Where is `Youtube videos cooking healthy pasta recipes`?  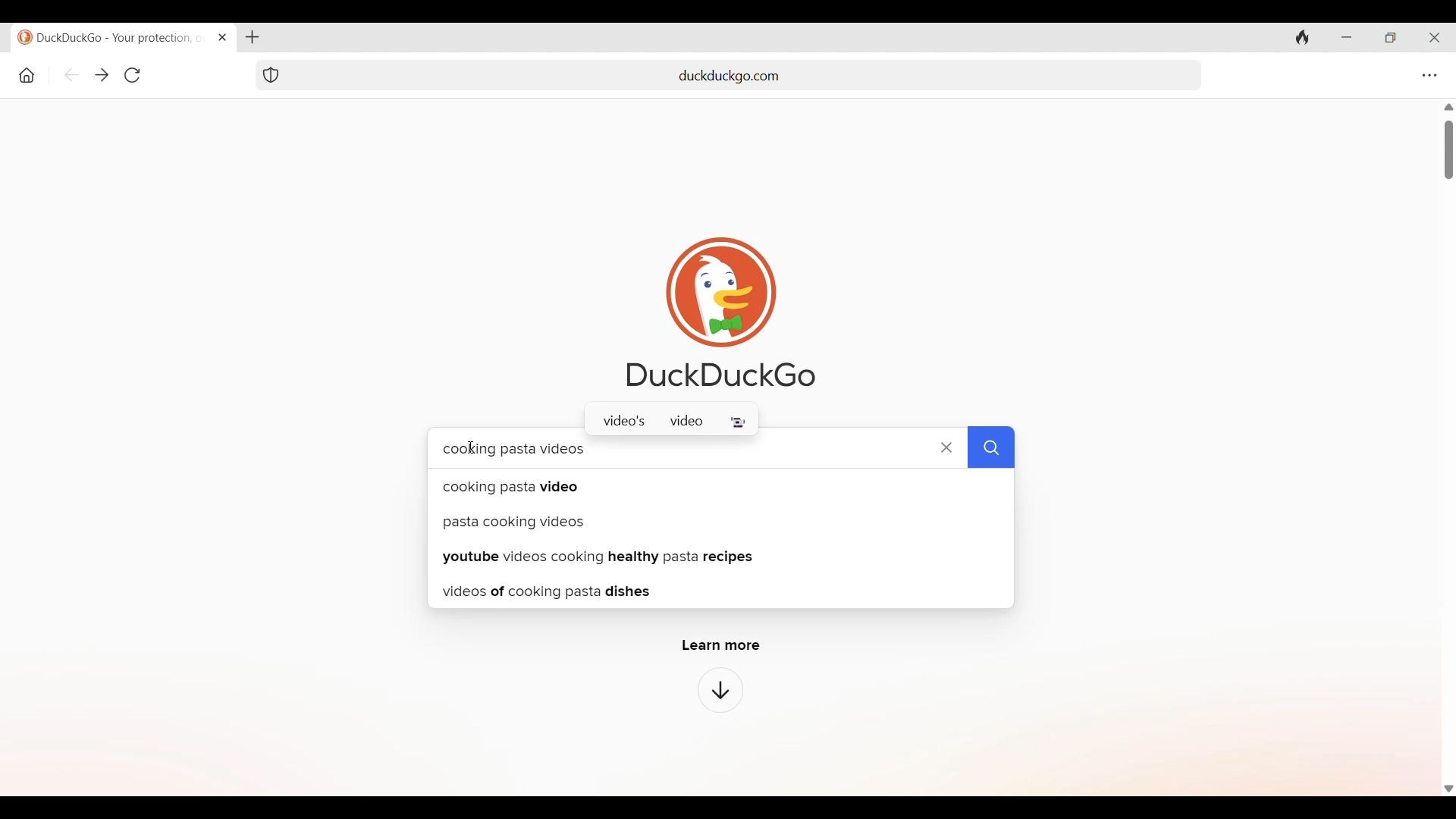
Youtube videos cooking healthy pasta recipes is located at coordinates (726, 557).